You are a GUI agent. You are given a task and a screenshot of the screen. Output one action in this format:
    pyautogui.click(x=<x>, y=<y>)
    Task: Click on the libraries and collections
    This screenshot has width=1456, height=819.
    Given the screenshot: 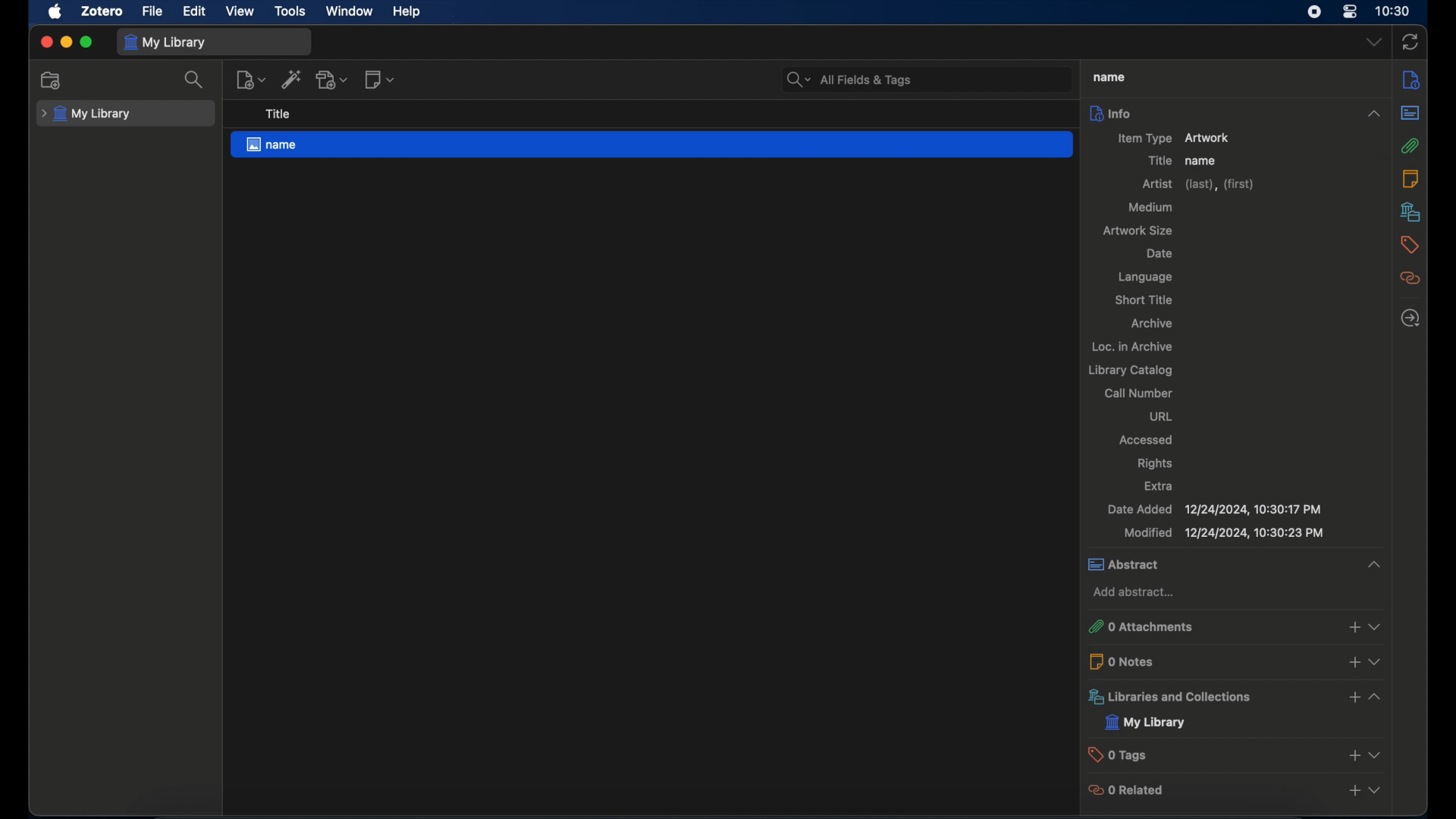 What is the action you would take?
    pyautogui.click(x=1175, y=696)
    